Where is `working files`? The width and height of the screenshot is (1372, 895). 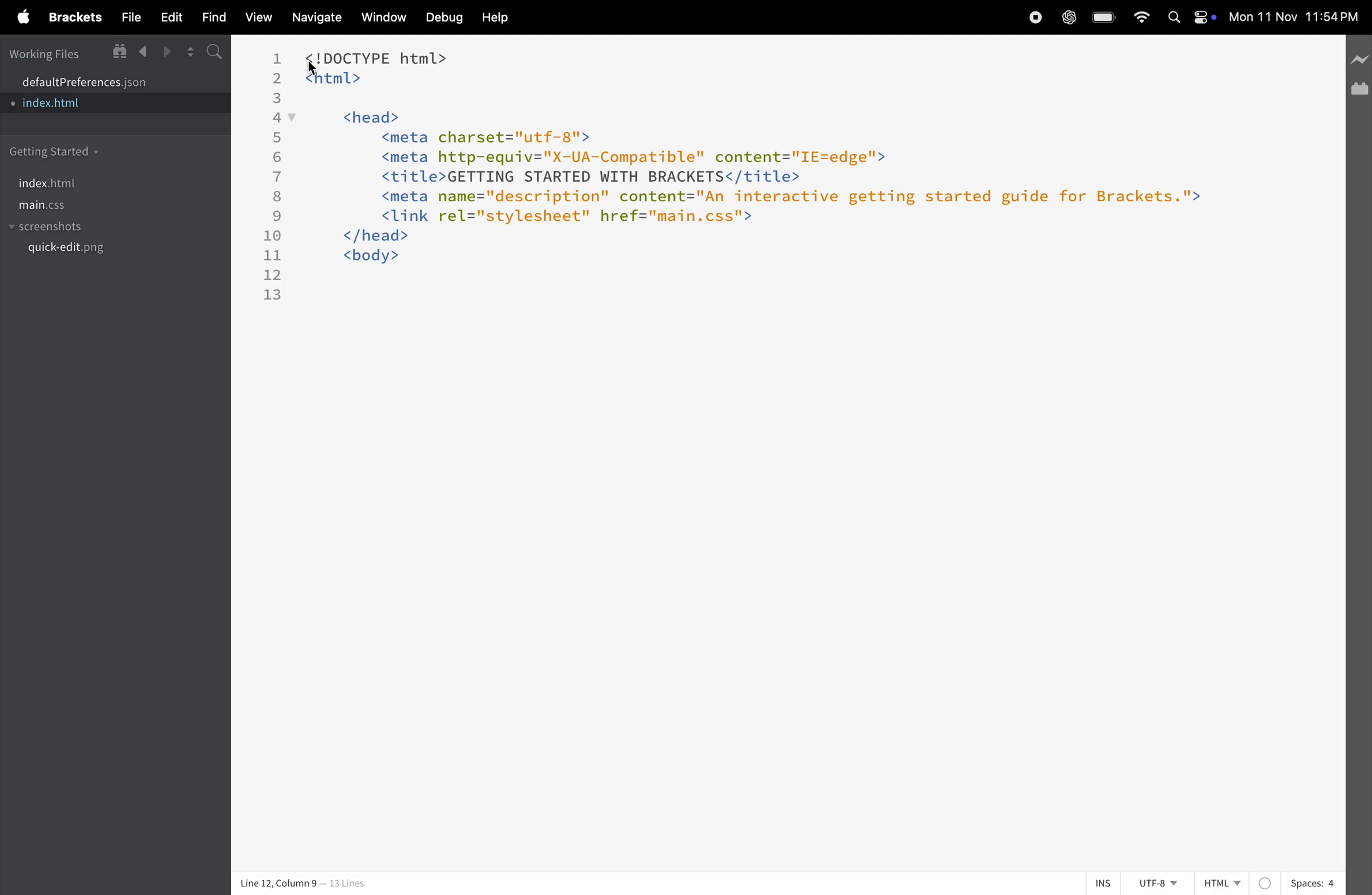 working files is located at coordinates (45, 53).